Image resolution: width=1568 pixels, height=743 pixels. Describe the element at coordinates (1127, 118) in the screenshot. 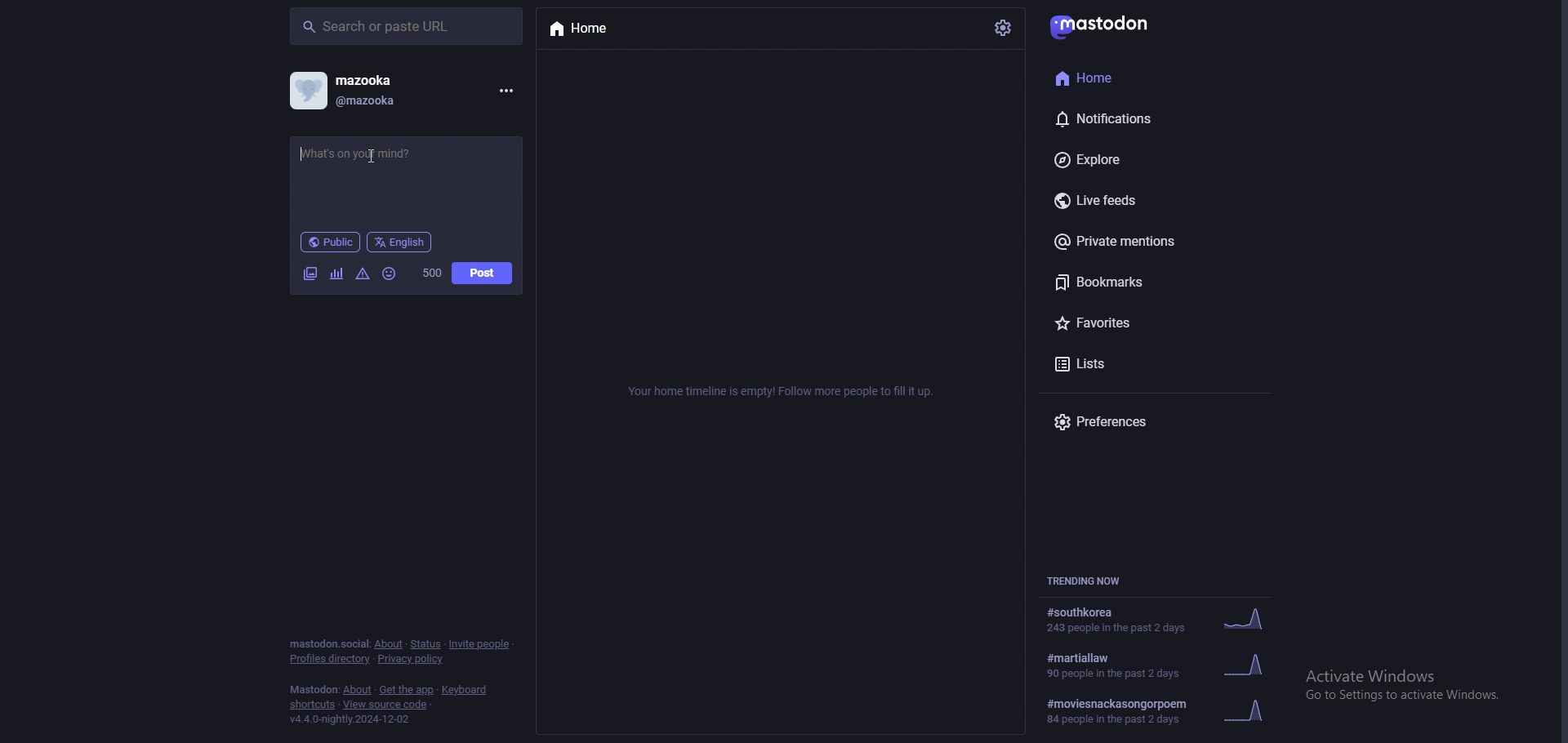

I see `notifications` at that location.